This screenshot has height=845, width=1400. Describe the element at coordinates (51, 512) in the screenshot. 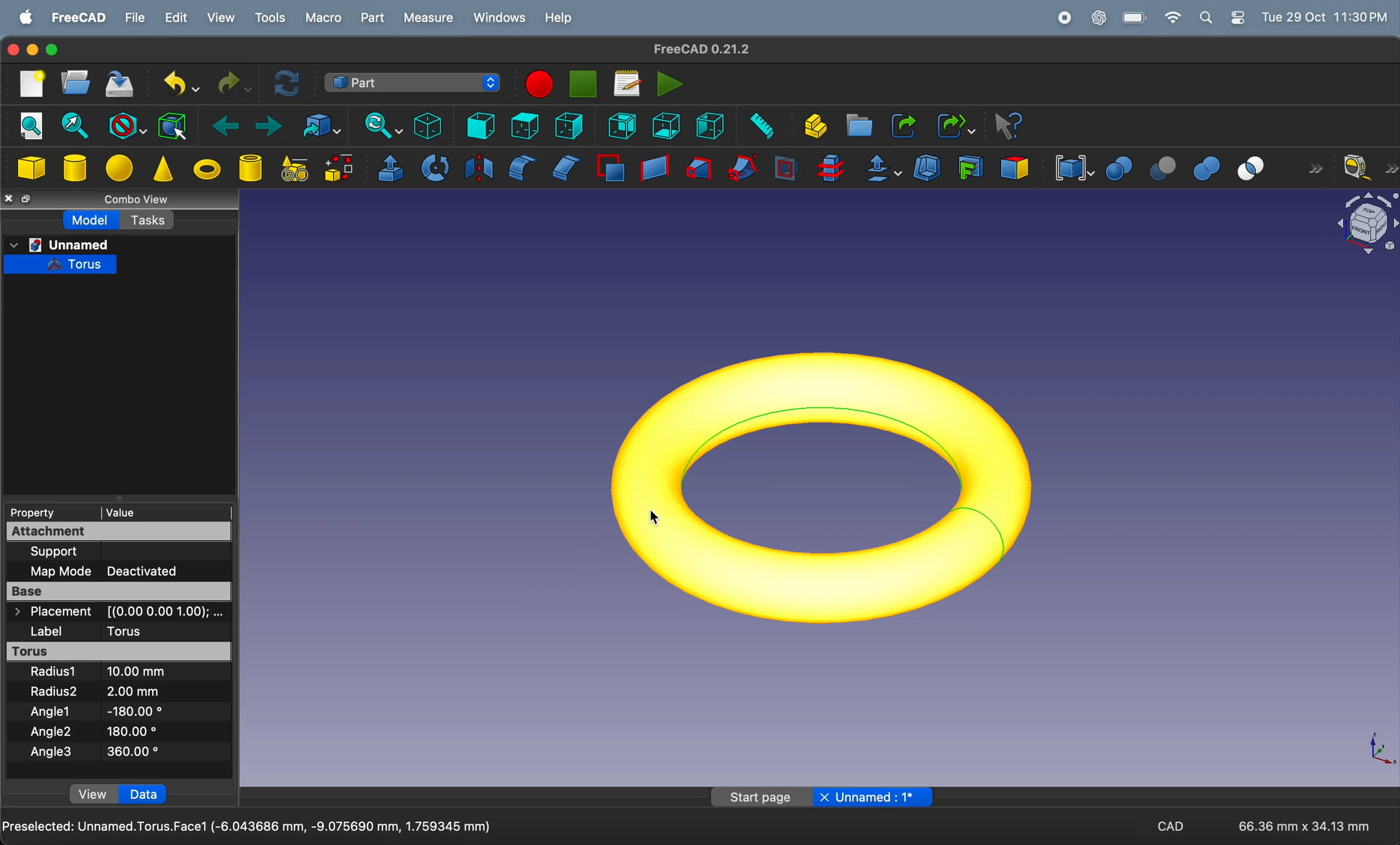

I see `property` at that location.